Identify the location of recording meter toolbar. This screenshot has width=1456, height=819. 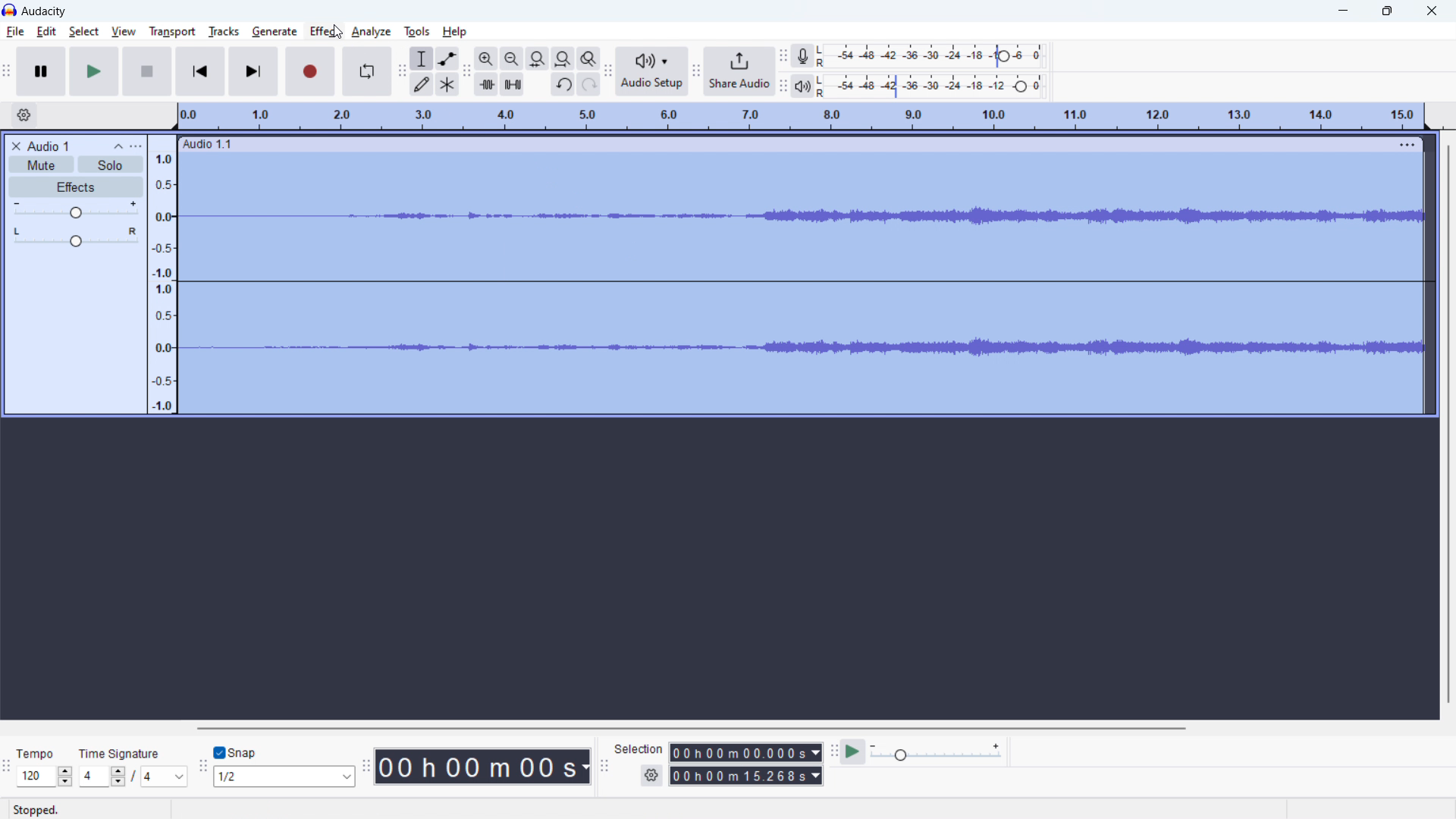
(784, 56).